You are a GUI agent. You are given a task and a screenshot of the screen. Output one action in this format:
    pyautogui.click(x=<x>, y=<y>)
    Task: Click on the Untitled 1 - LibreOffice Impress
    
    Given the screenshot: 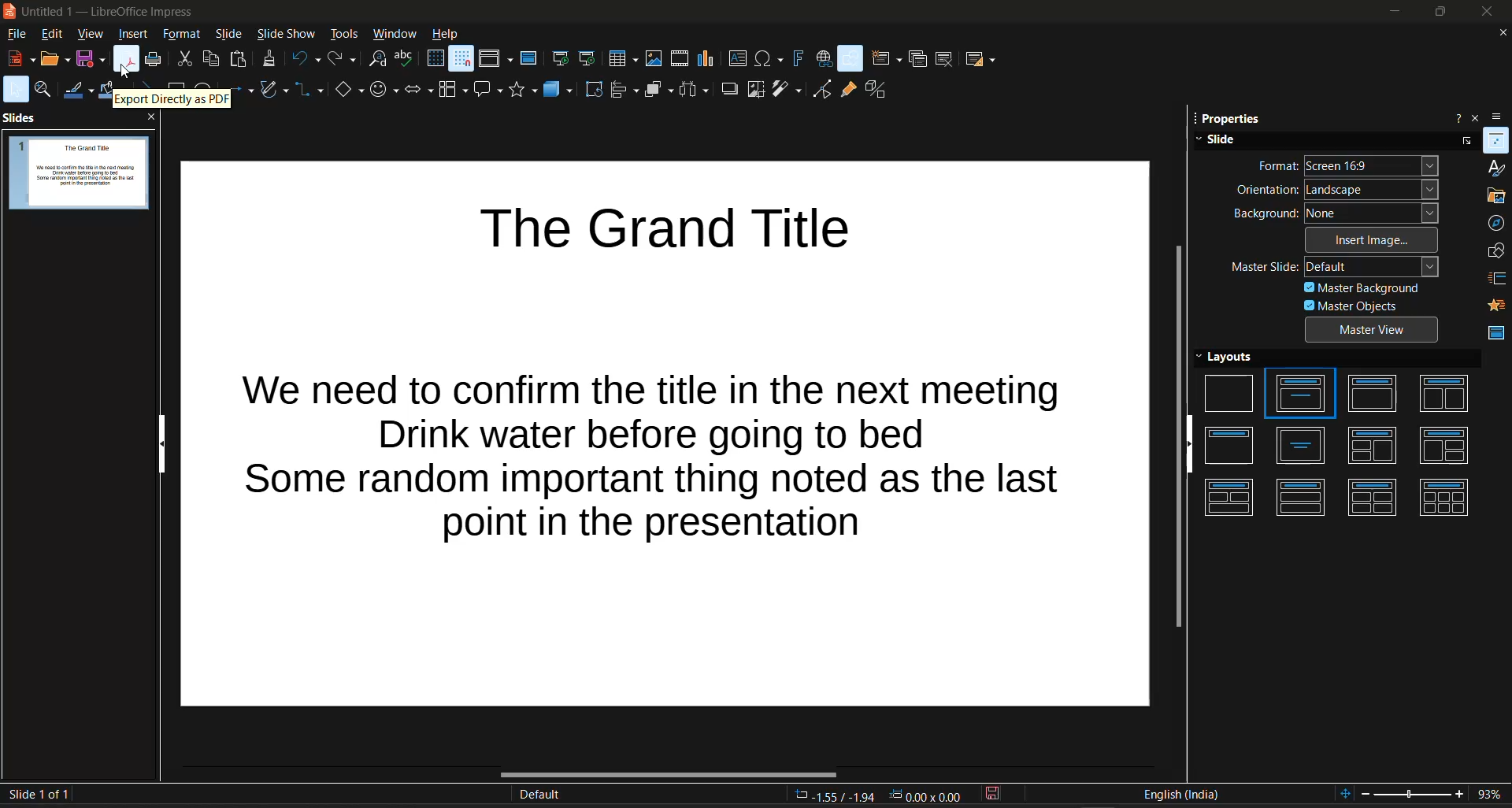 What is the action you would take?
    pyautogui.click(x=105, y=12)
    